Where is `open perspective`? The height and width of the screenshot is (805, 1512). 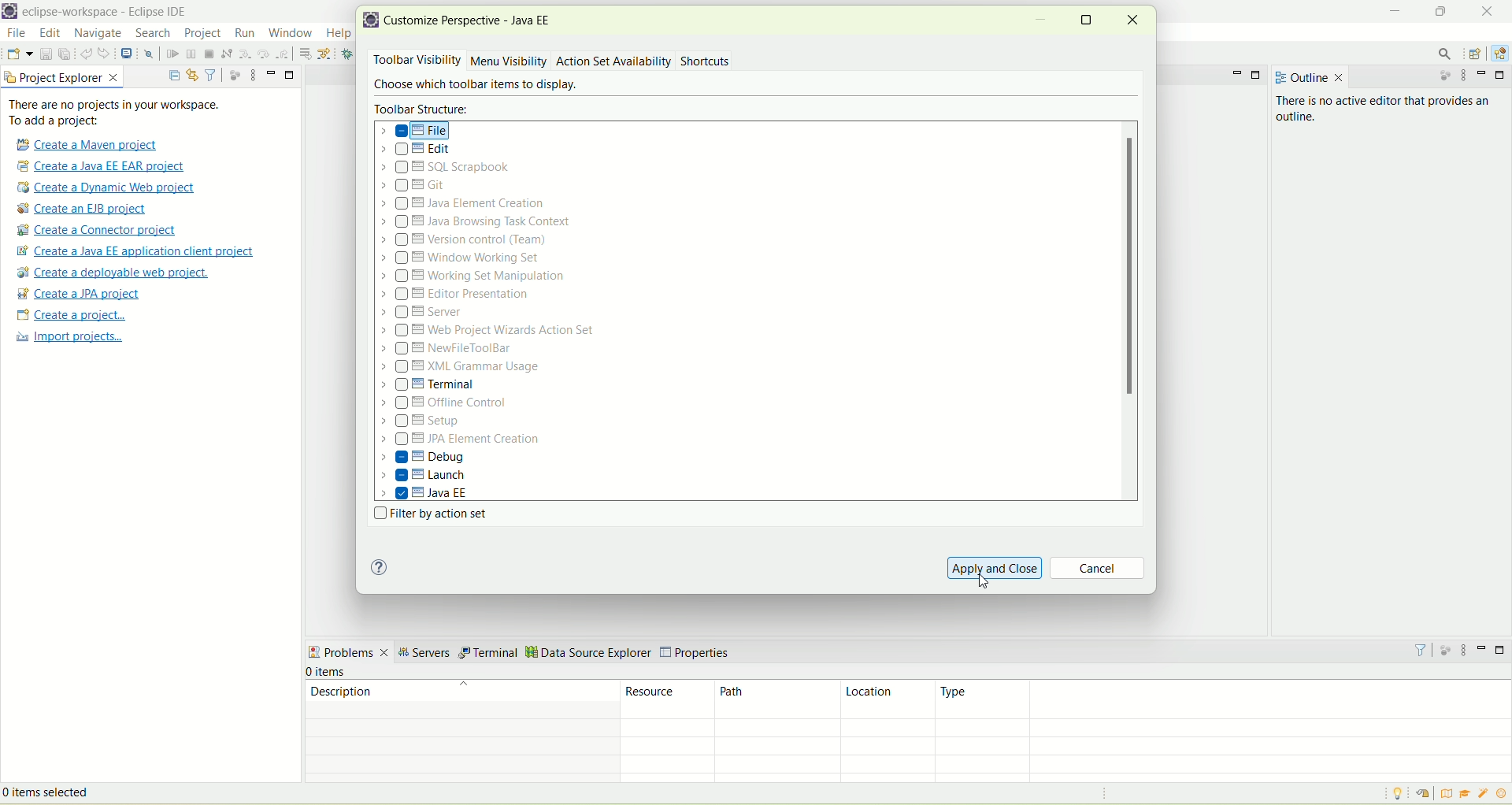
open perspective is located at coordinates (1477, 53).